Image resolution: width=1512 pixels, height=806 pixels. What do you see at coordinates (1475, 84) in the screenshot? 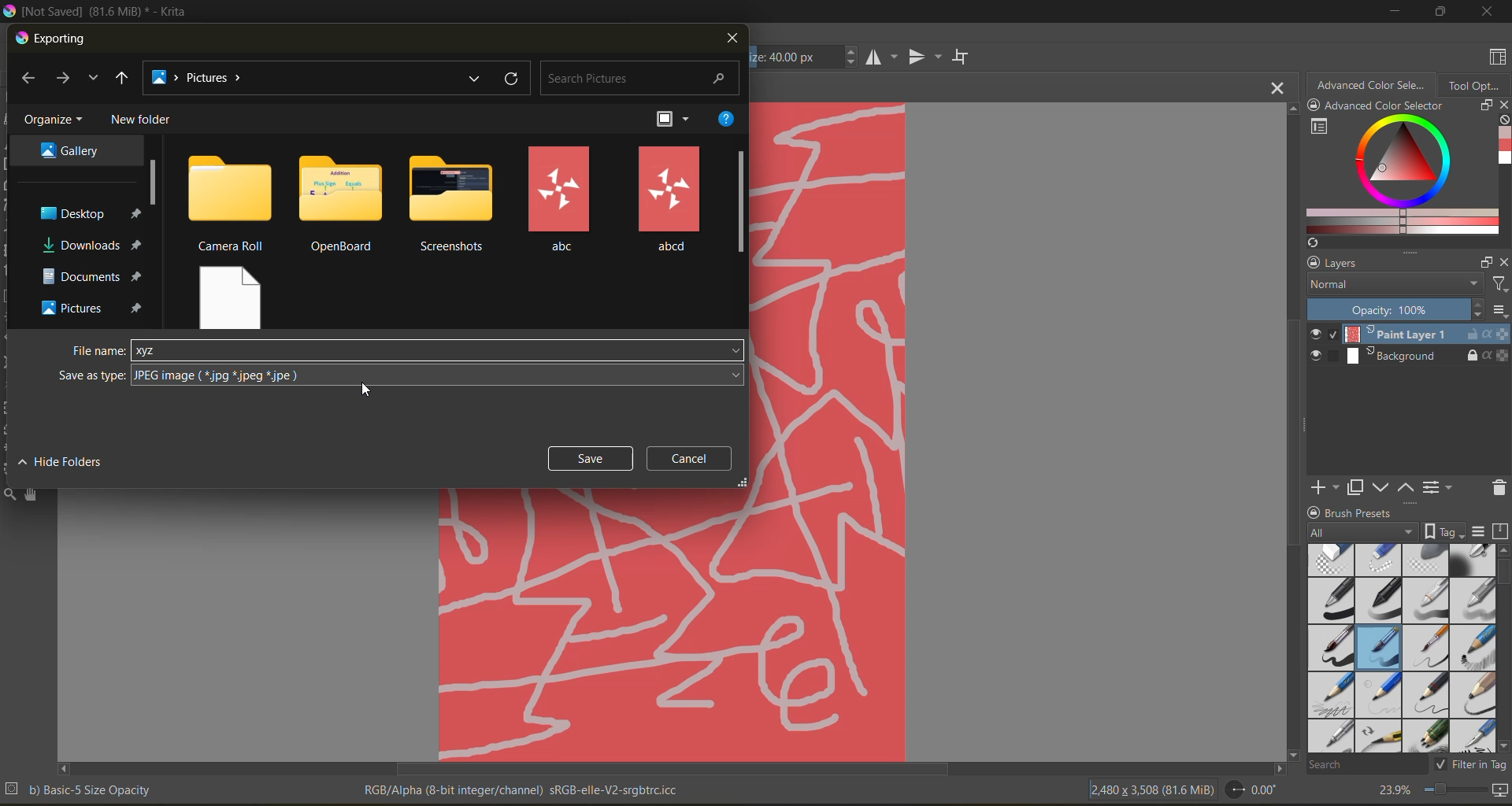
I see `tool options` at bounding box center [1475, 84].